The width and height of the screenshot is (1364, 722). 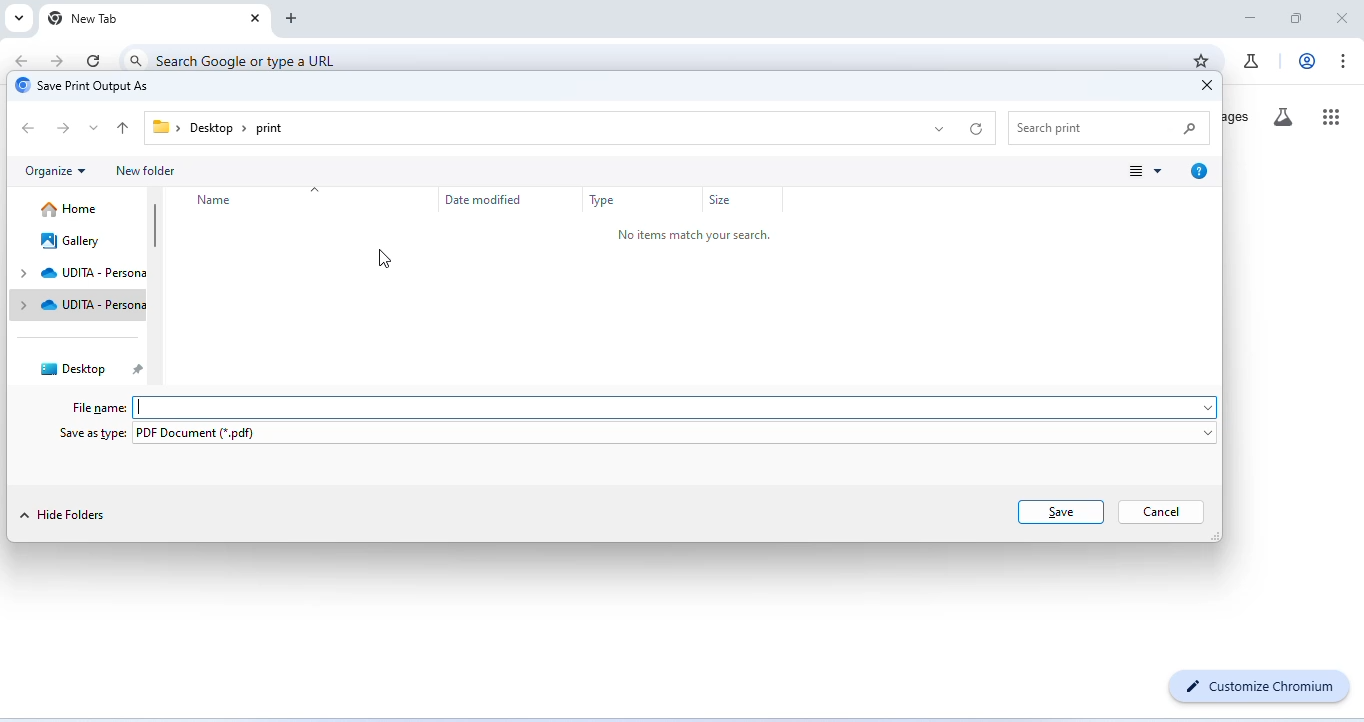 I want to click on account, so click(x=1304, y=61).